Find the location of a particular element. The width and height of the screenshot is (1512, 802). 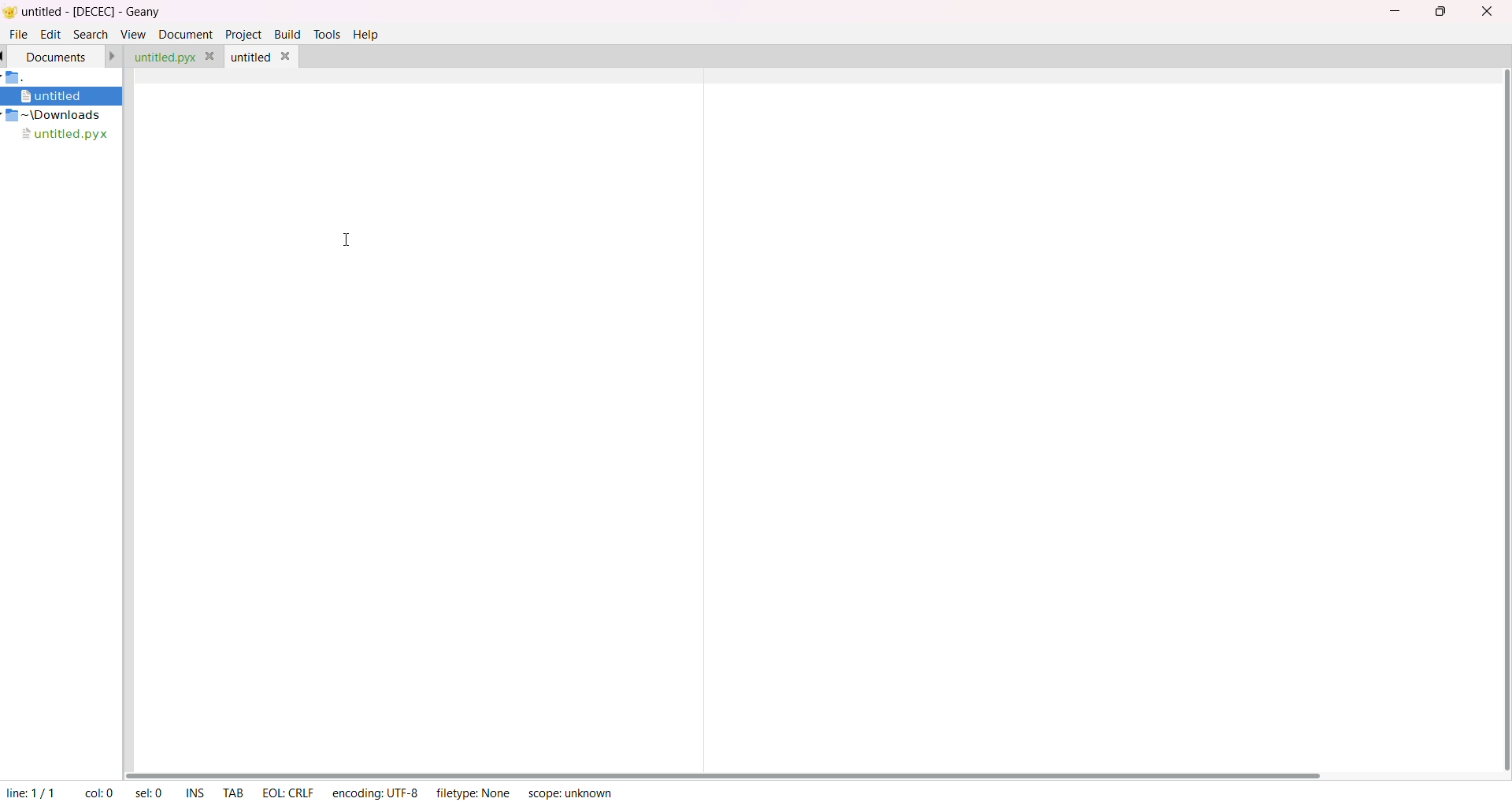

file is located at coordinates (18, 34).